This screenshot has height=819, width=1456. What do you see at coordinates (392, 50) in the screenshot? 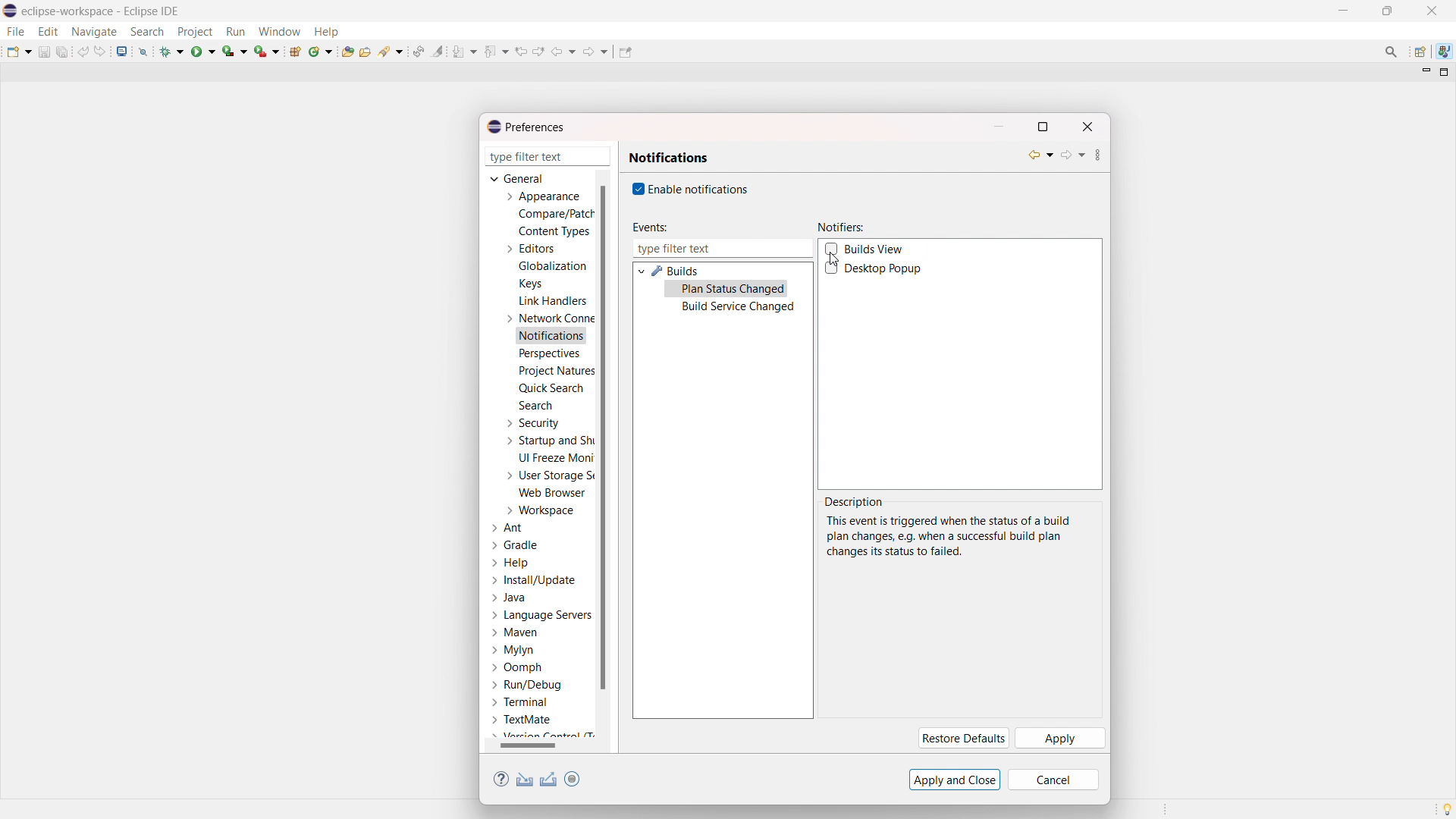
I see `search` at bounding box center [392, 50].